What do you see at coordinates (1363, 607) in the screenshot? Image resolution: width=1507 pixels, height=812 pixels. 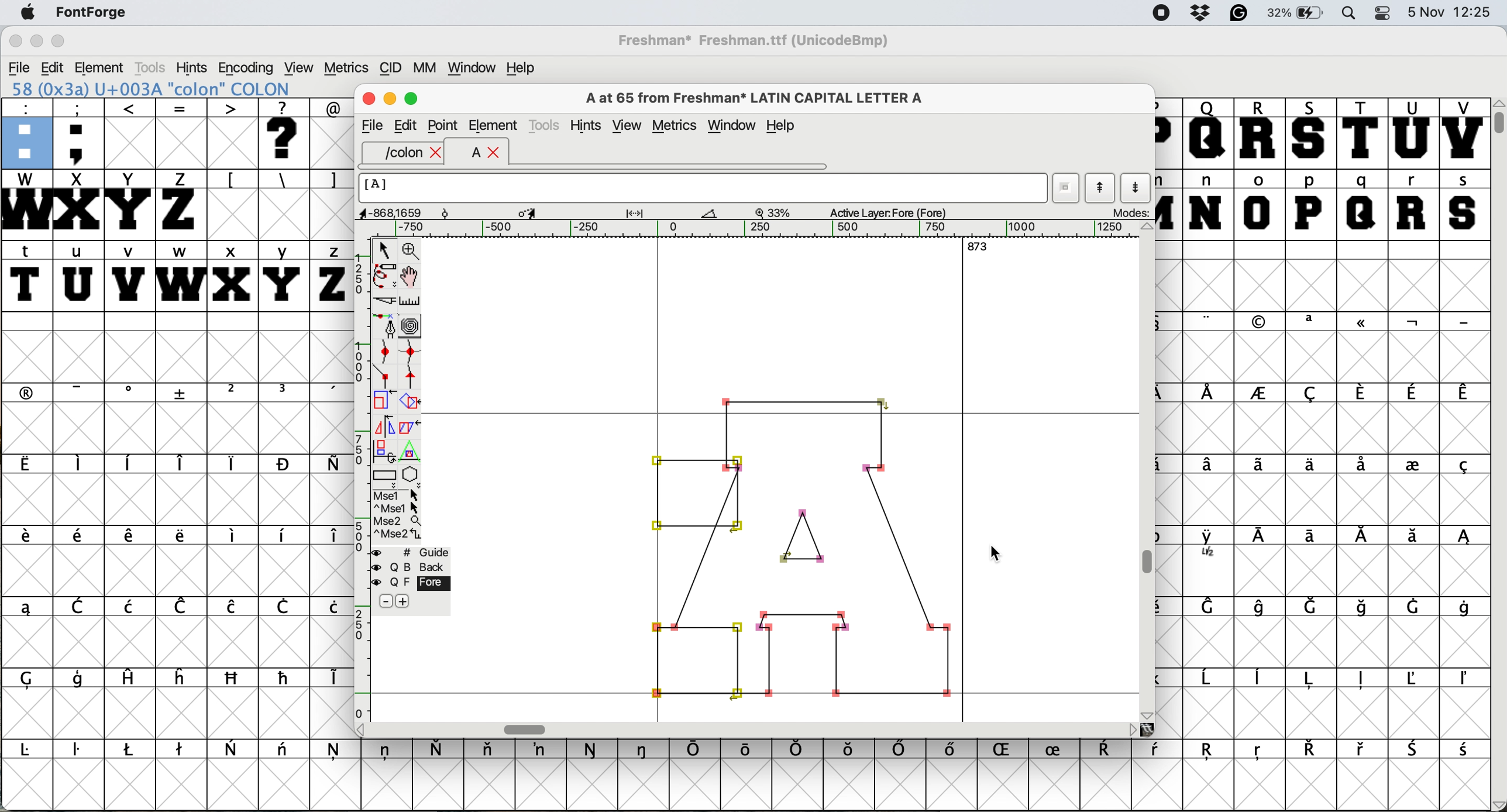 I see `symbol` at bounding box center [1363, 607].